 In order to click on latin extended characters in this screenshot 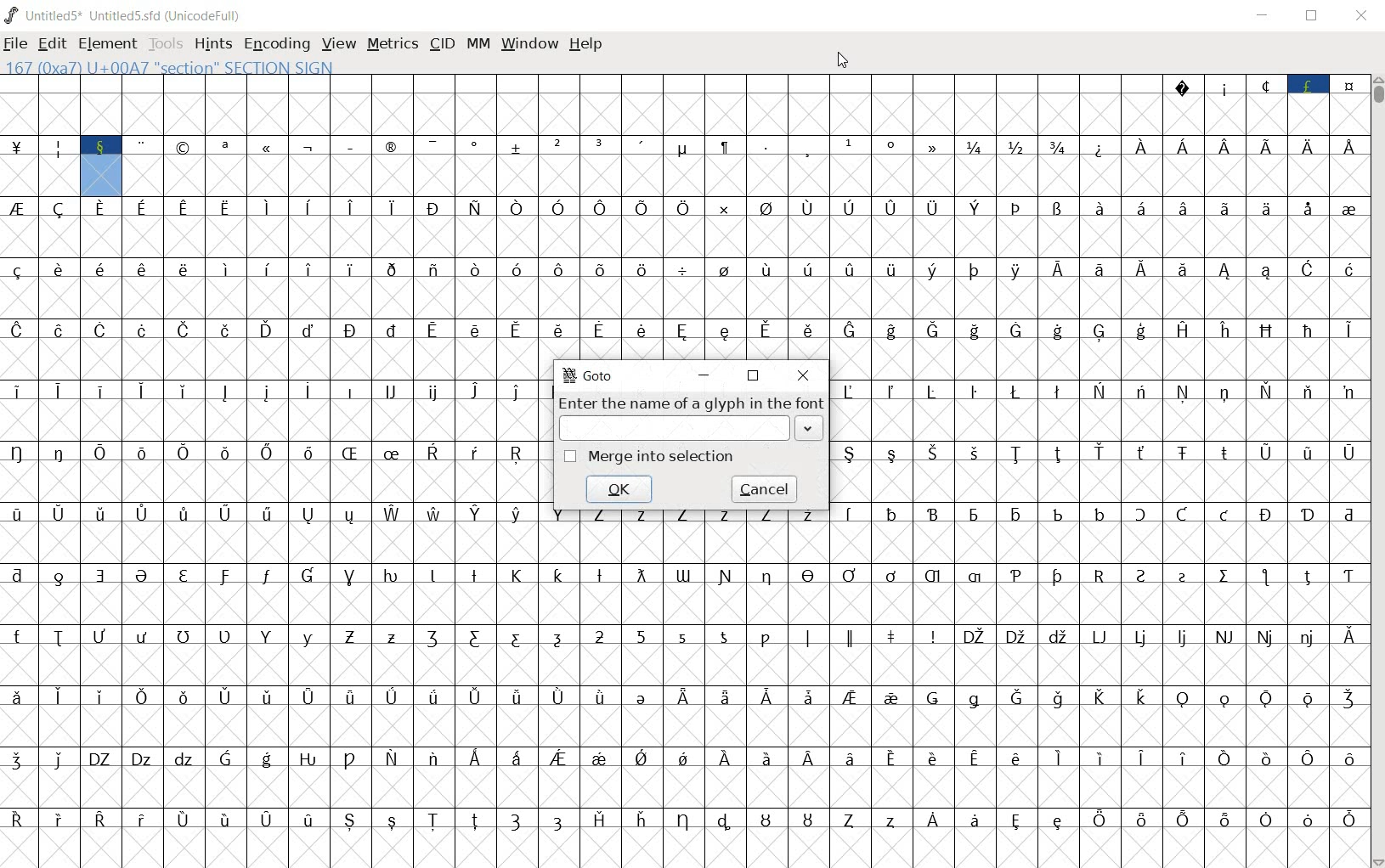, I will do `click(273, 442)`.